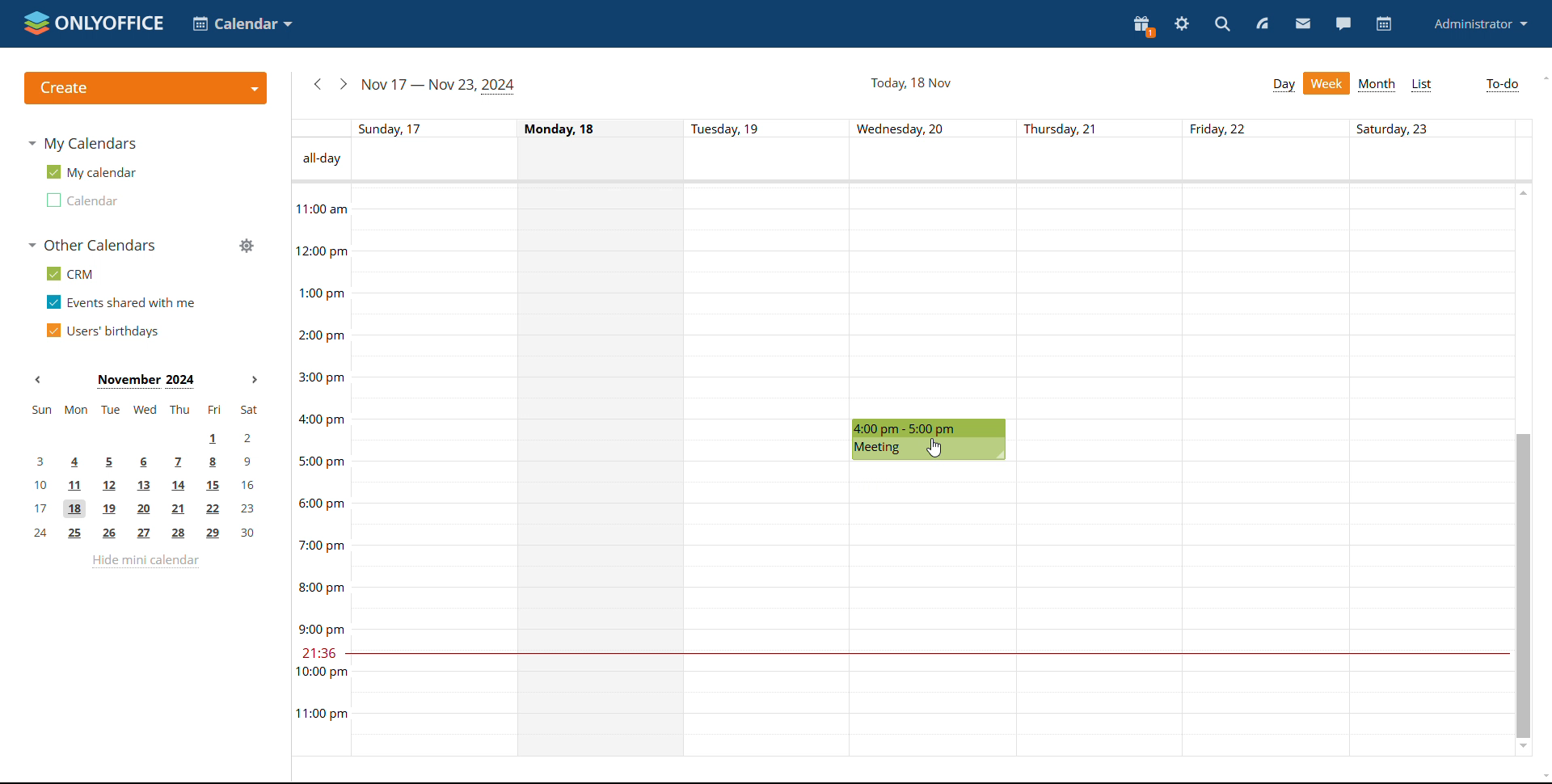 The image size is (1552, 784). Describe the element at coordinates (1542, 778) in the screenshot. I see `scroll down` at that location.